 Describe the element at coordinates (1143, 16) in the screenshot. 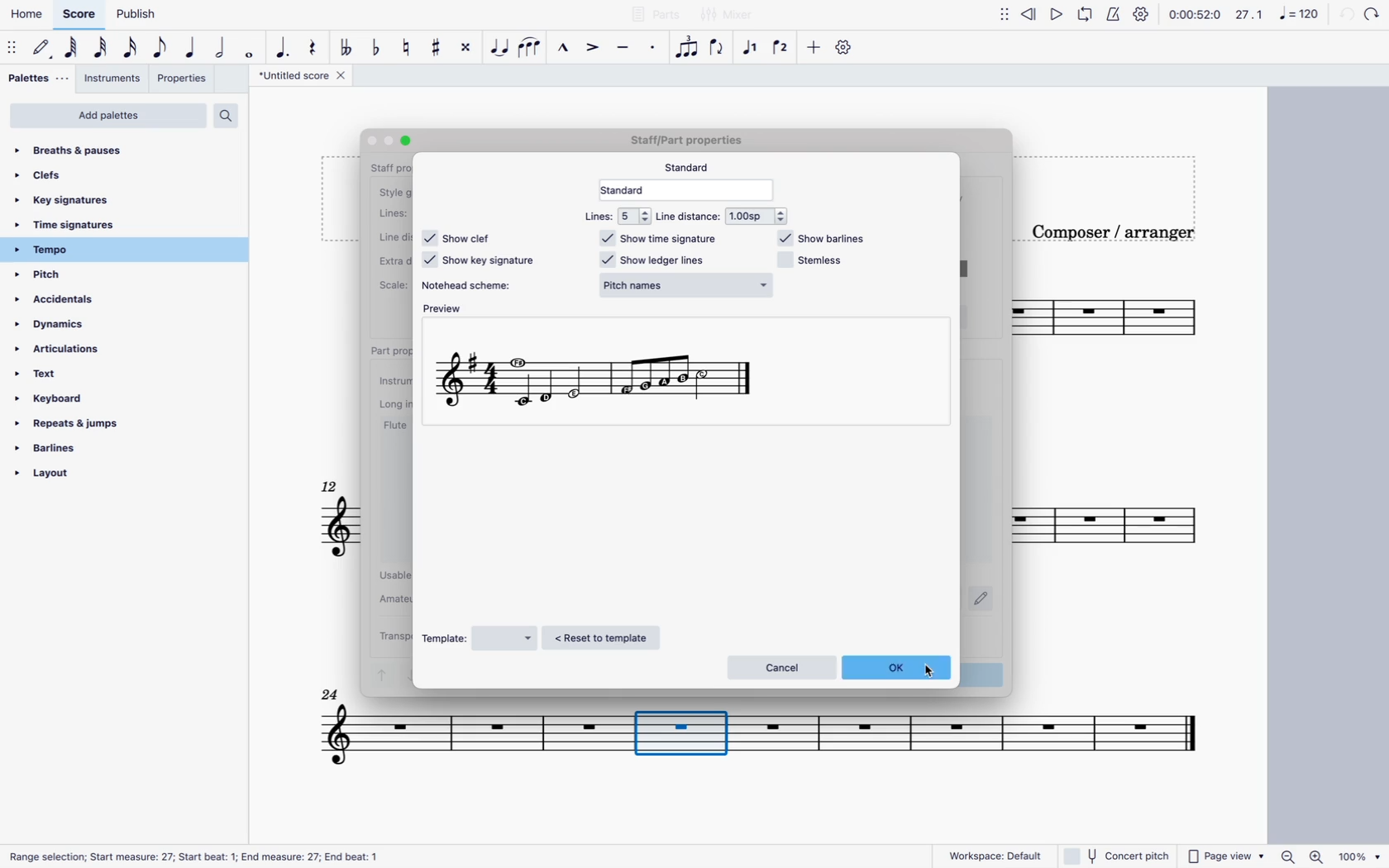

I see `settings` at that location.